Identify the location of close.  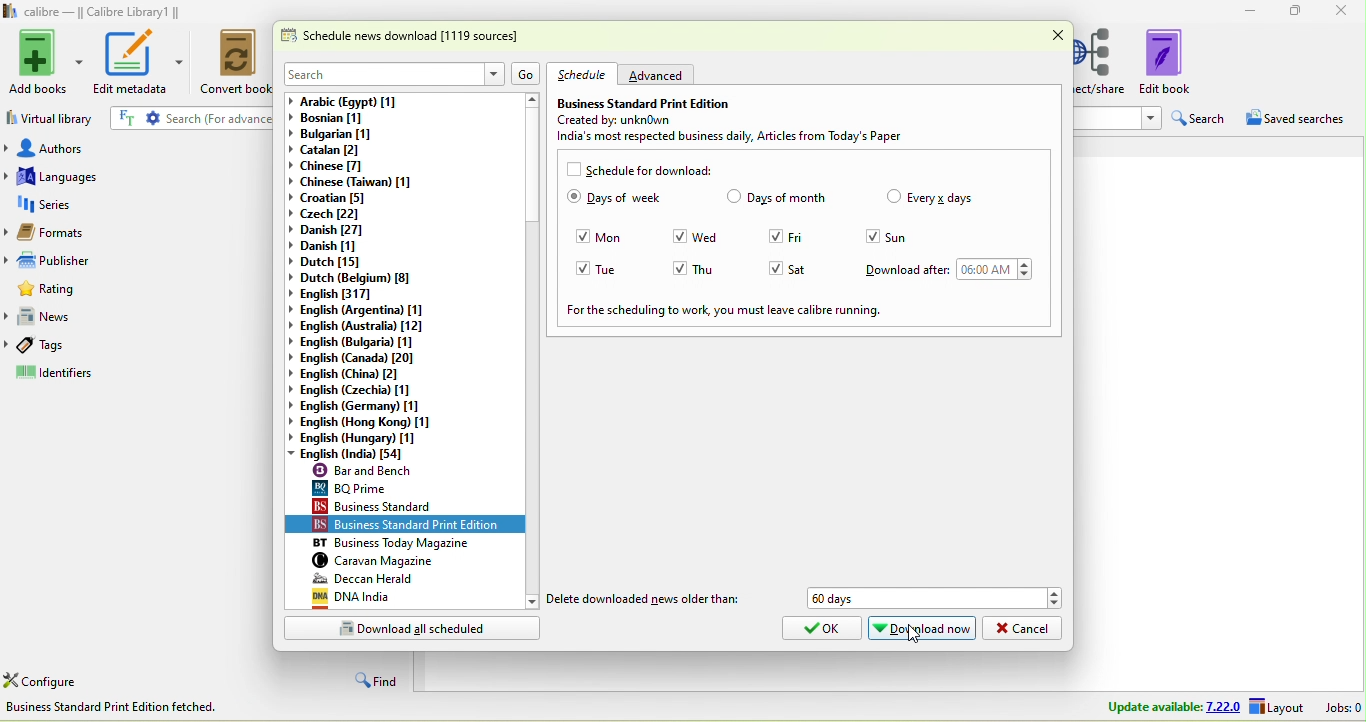
(1341, 12).